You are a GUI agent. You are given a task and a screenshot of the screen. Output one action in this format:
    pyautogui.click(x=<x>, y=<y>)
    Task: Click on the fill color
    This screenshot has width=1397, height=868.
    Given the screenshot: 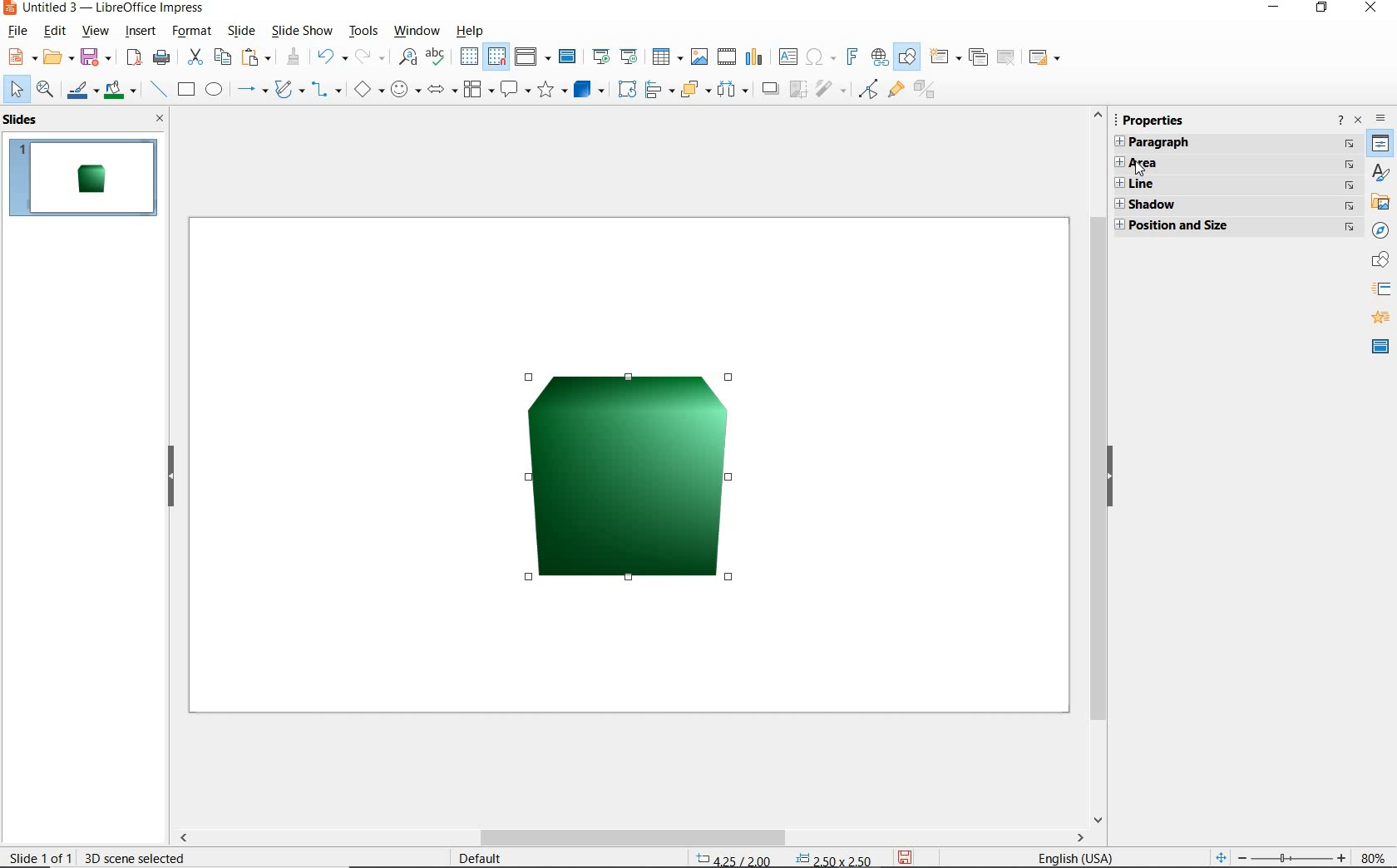 What is the action you would take?
    pyautogui.click(x=121, y=91)
    